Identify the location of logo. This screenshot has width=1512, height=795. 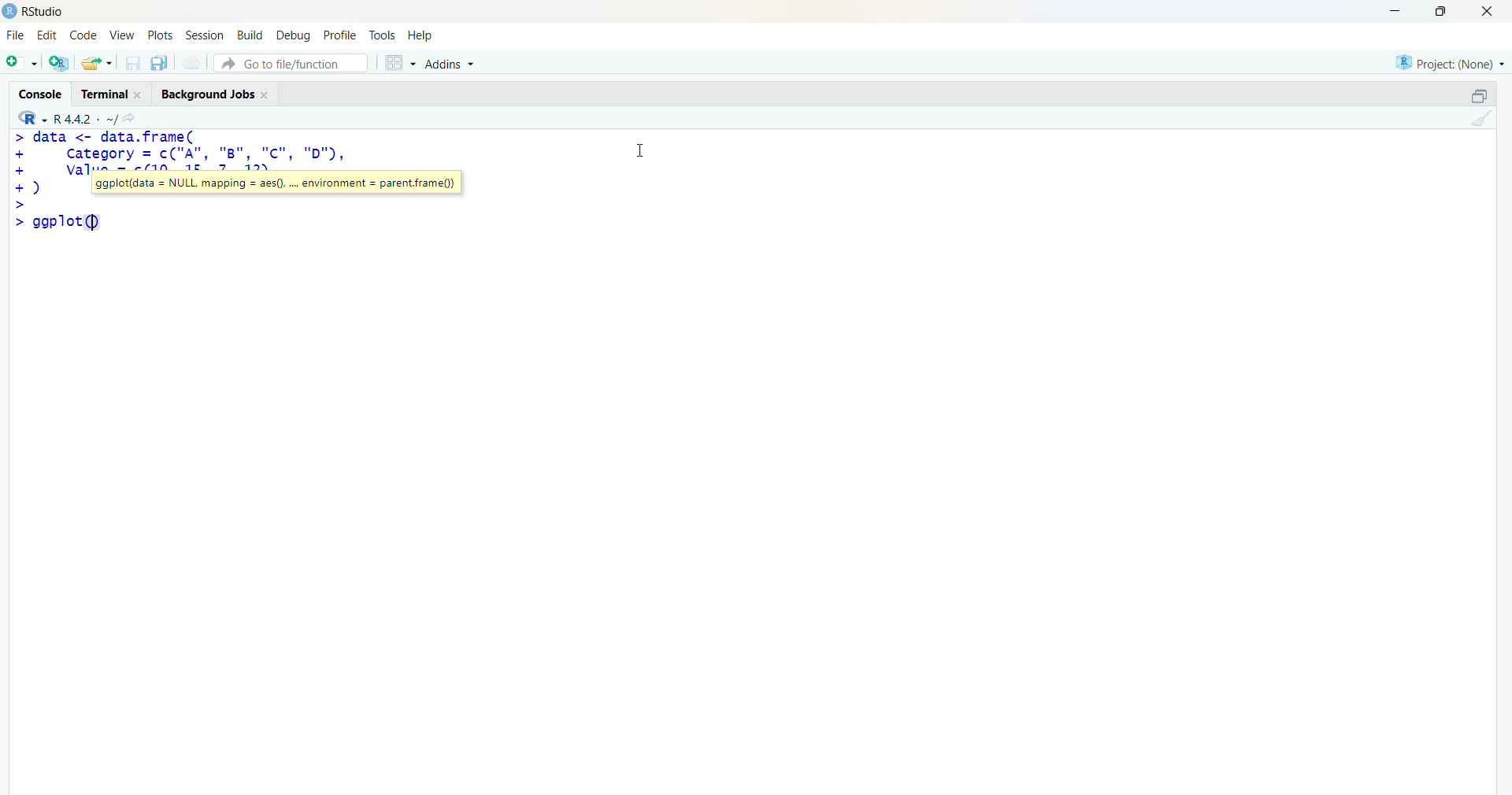
(10, 11).